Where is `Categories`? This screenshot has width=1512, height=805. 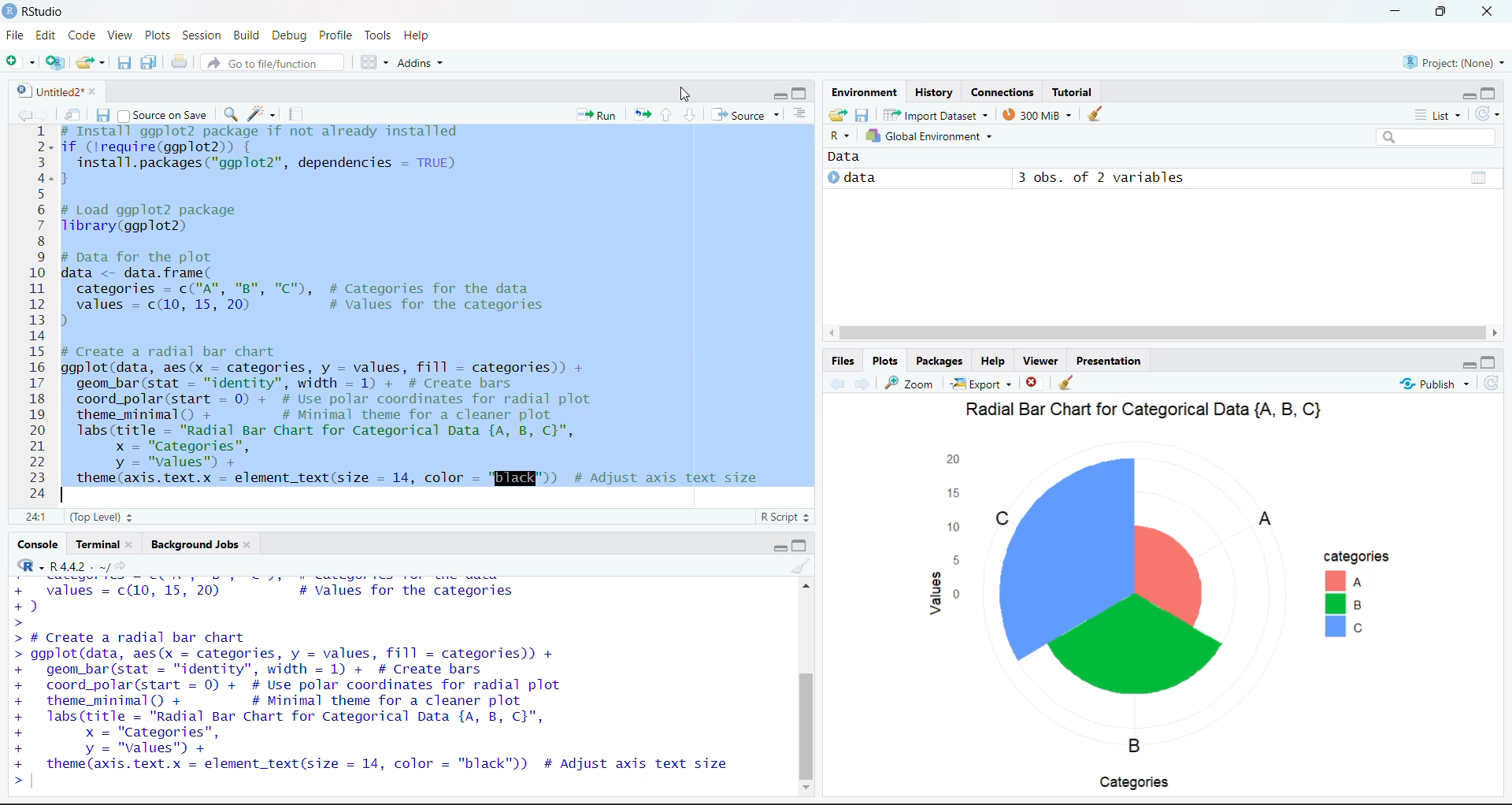
Categories is located at coordinates (1140, 781).